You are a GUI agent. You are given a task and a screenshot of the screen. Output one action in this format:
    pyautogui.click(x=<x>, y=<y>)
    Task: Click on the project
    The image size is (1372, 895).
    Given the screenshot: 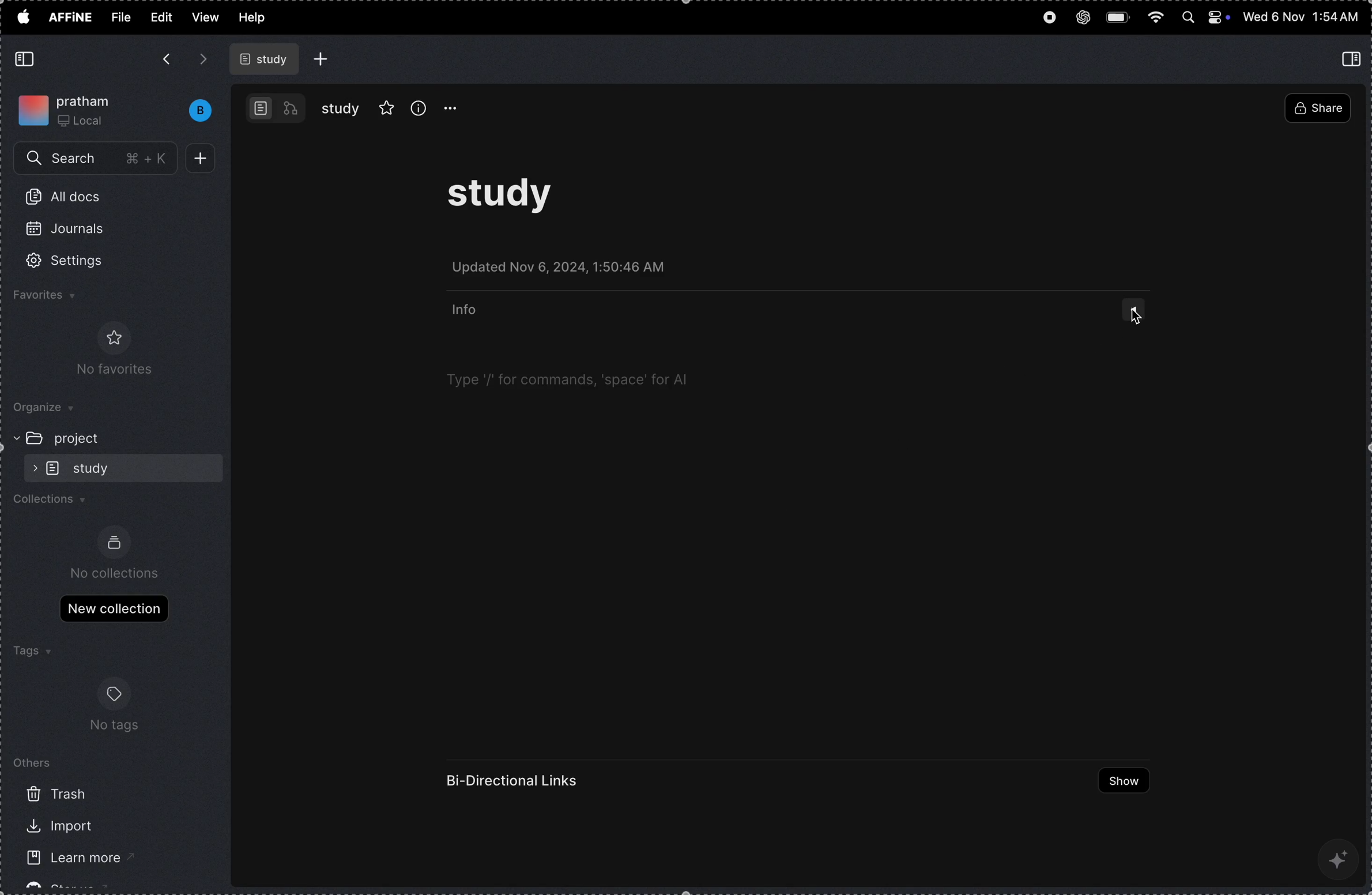 What is the action you would take?
    pyautogui.click(x=84, y=438)
    